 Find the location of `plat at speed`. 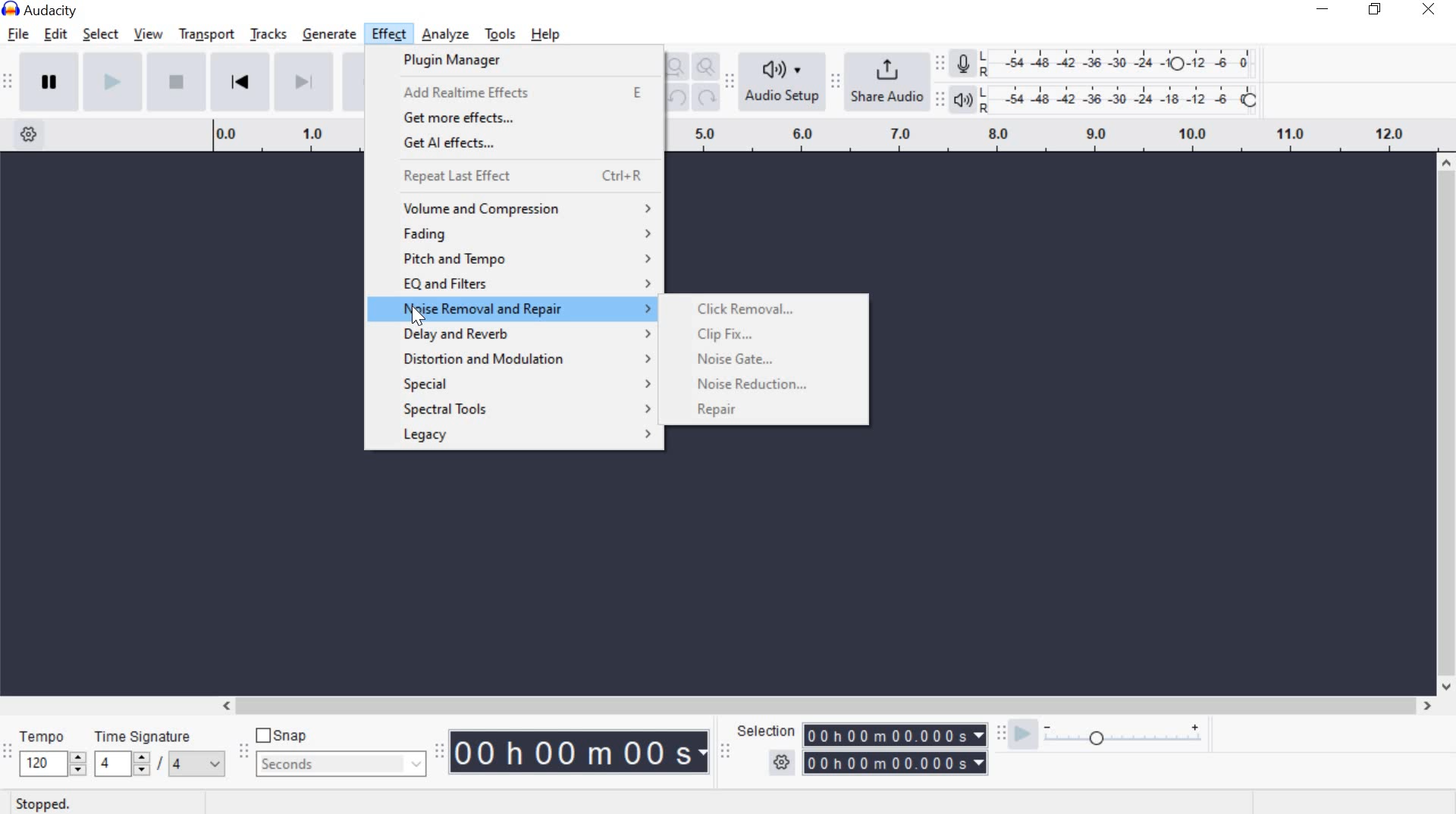

plat at speed is located at coordinates (1127, 739).